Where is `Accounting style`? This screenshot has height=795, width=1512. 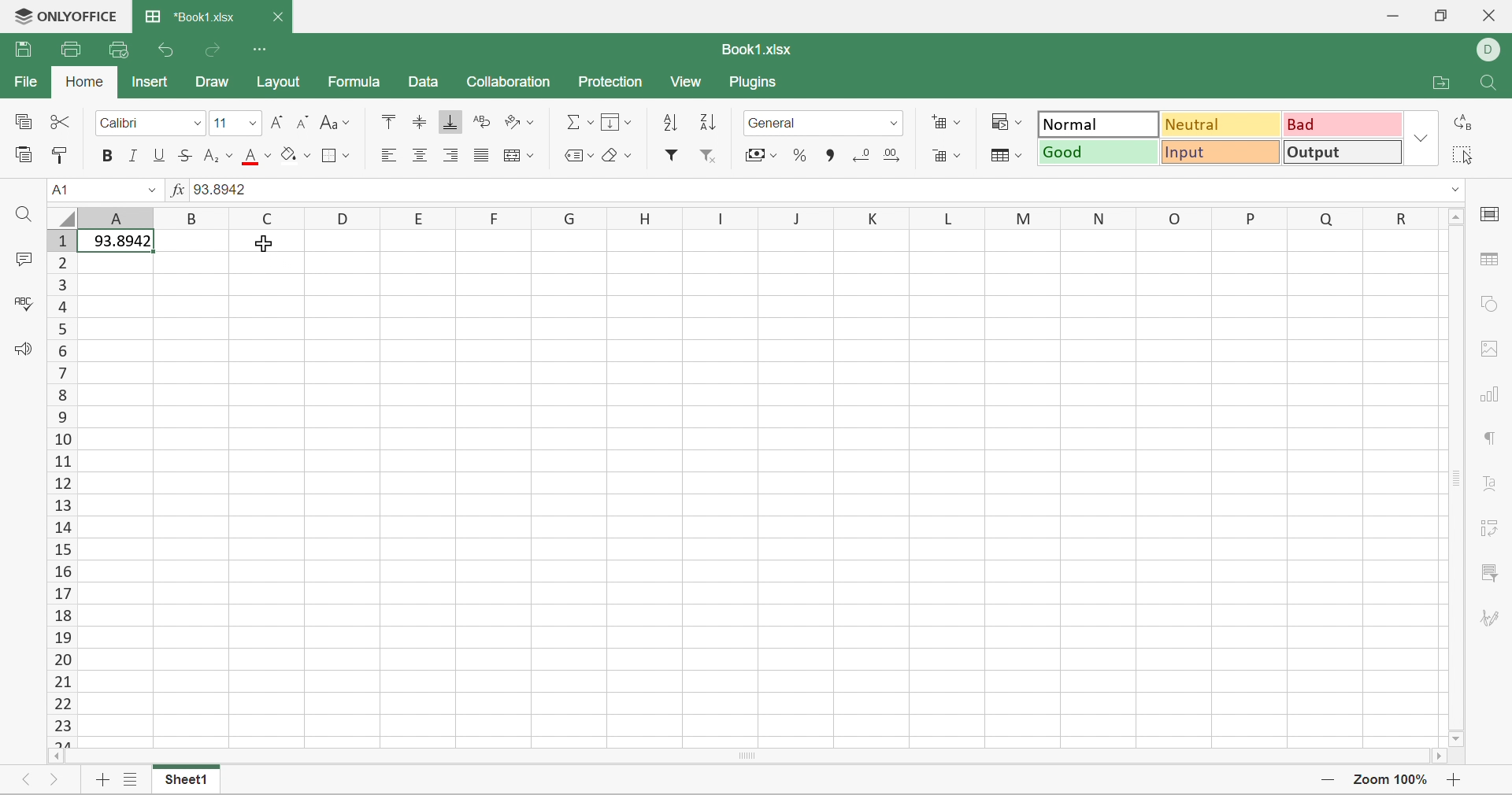 Accounting style is located at coordinates (761, 155).